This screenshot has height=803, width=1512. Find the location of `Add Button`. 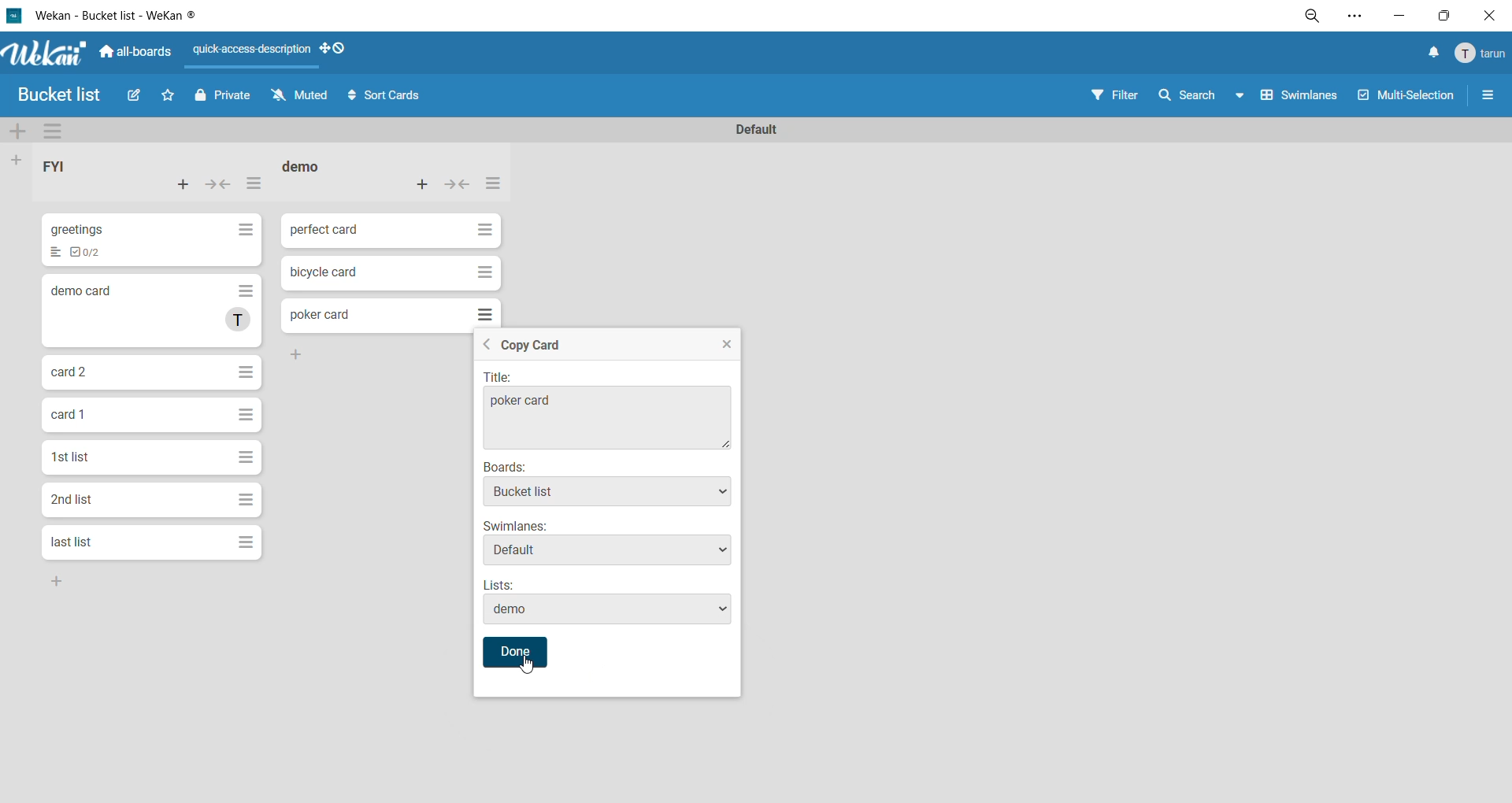

Add Button is located at coordinates (62, 583).